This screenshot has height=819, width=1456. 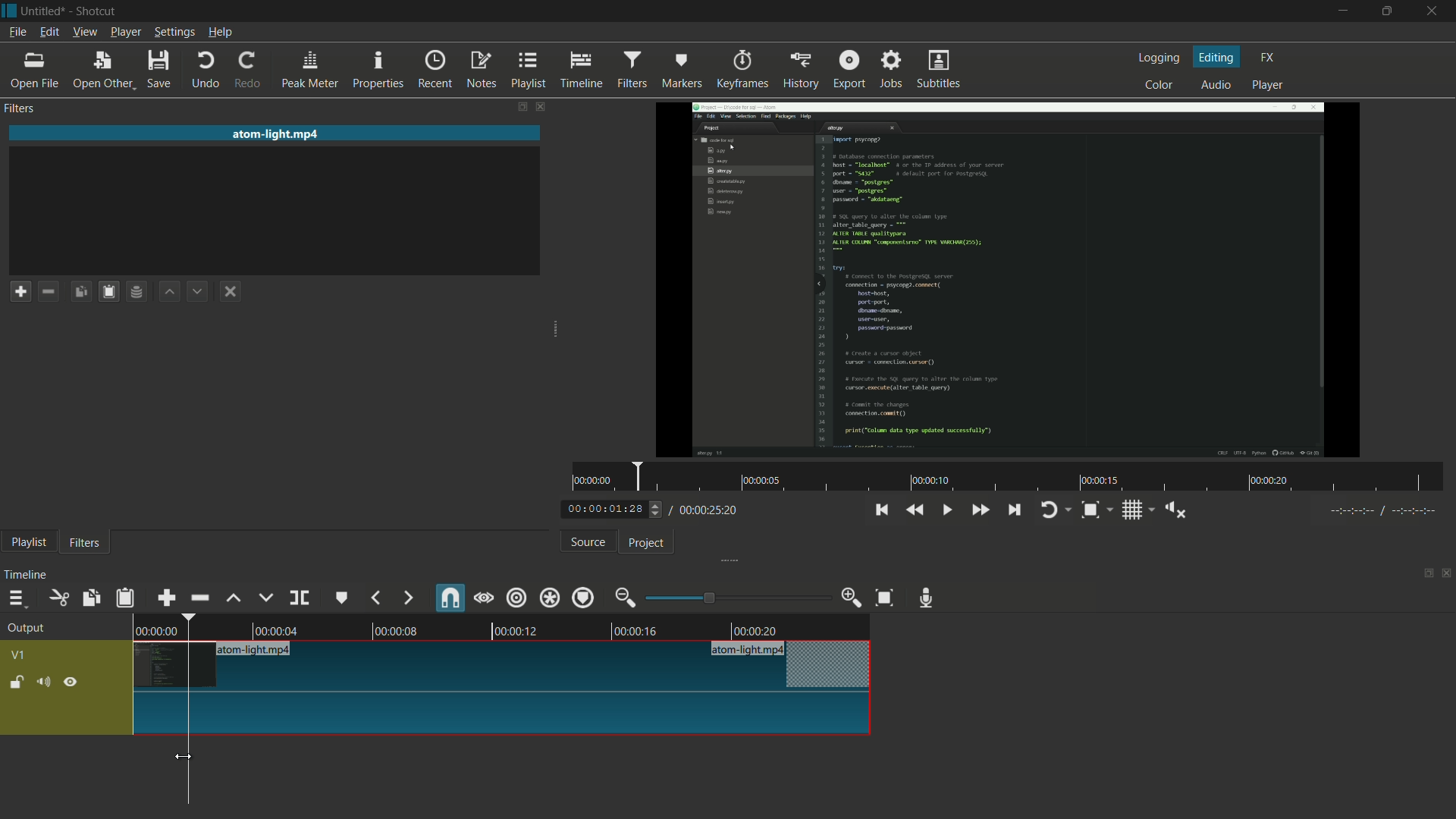 What do you see at coordinates (9, 11) in the screenshot?
I see `app icon` at bounding box center [9, 11].